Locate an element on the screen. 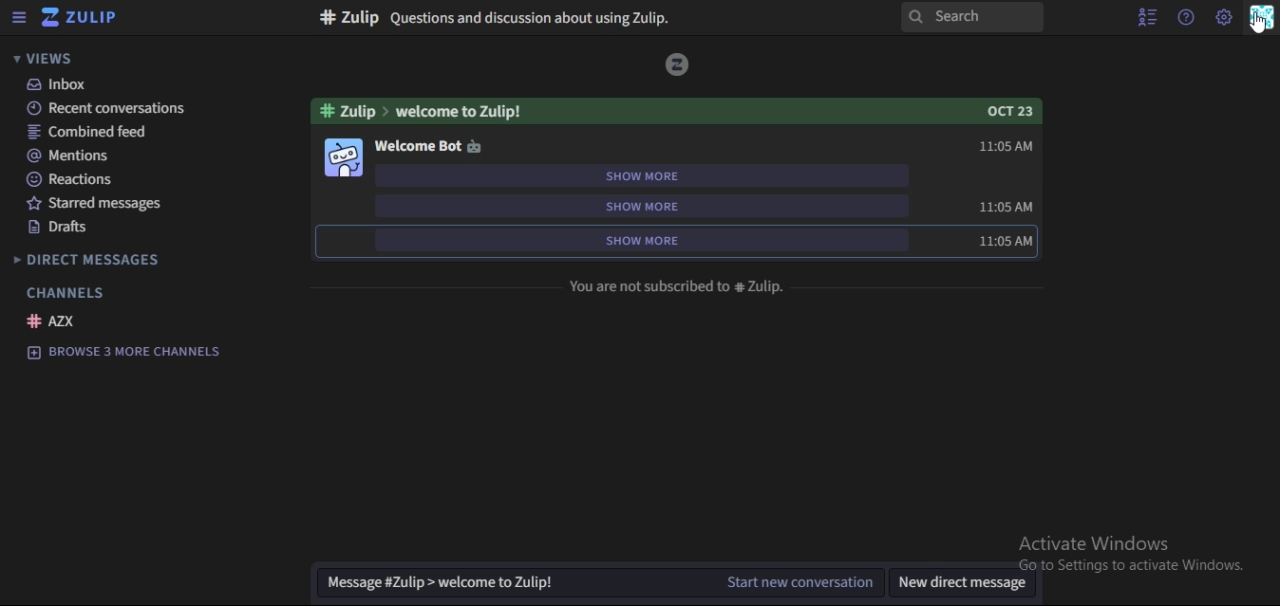  Browse 3 more channels is located at coordinates (134, 352).